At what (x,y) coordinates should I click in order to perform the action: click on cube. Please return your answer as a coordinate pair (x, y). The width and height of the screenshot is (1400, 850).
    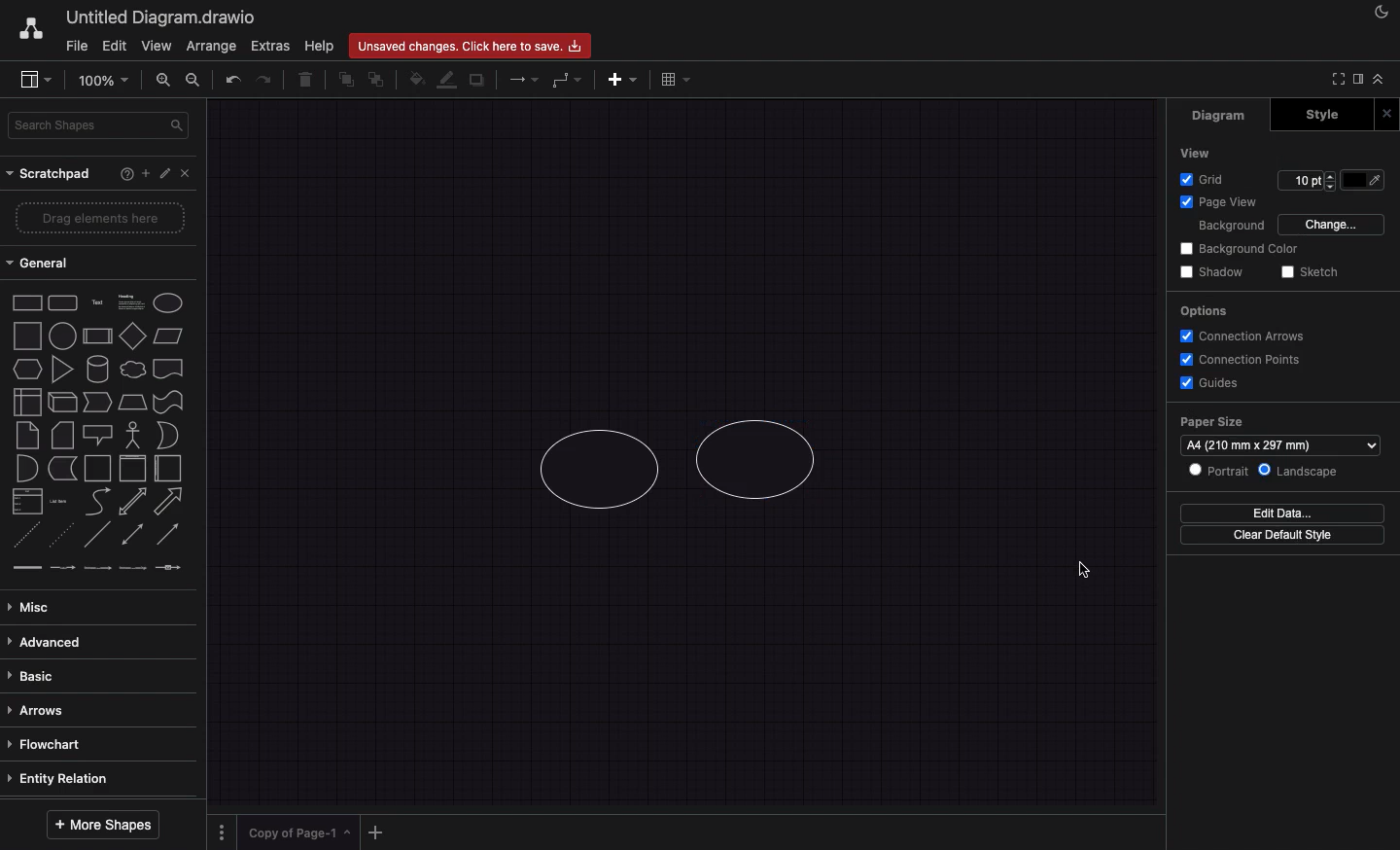
    Looking at the image, I should click on (60, 402).